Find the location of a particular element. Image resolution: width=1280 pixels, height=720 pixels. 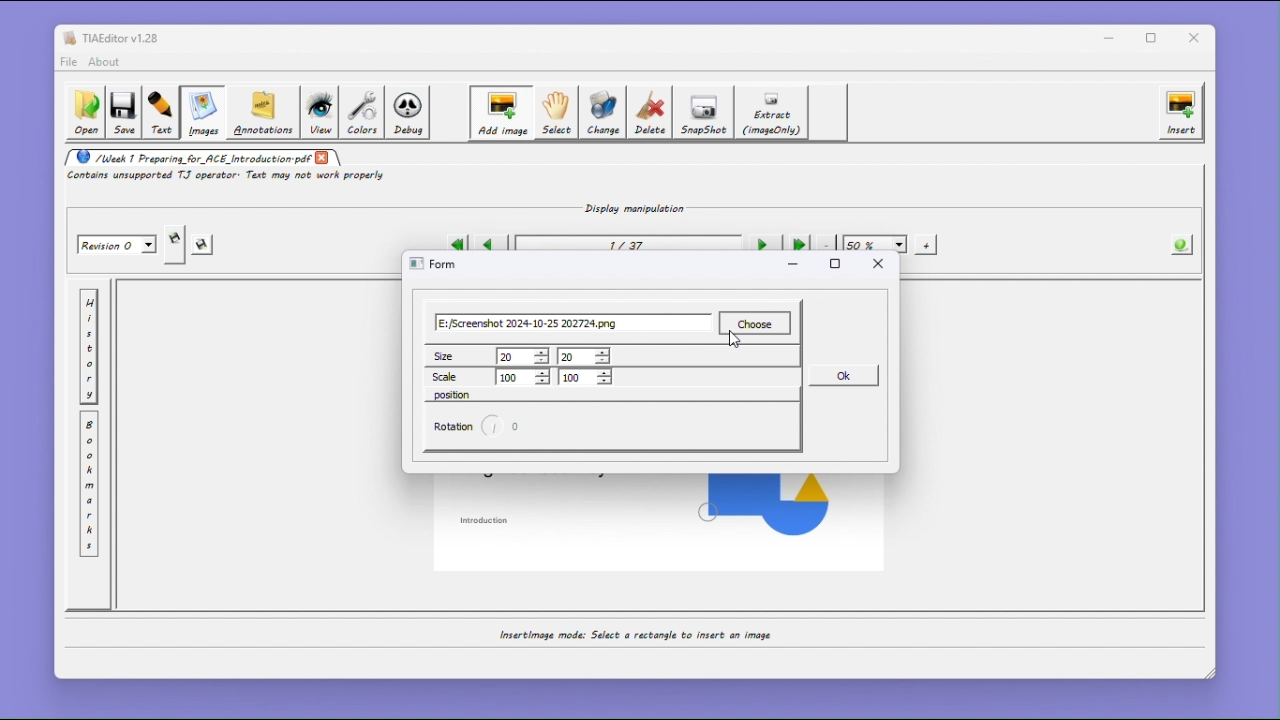

Save a copy is located at coordinates (175, 245).